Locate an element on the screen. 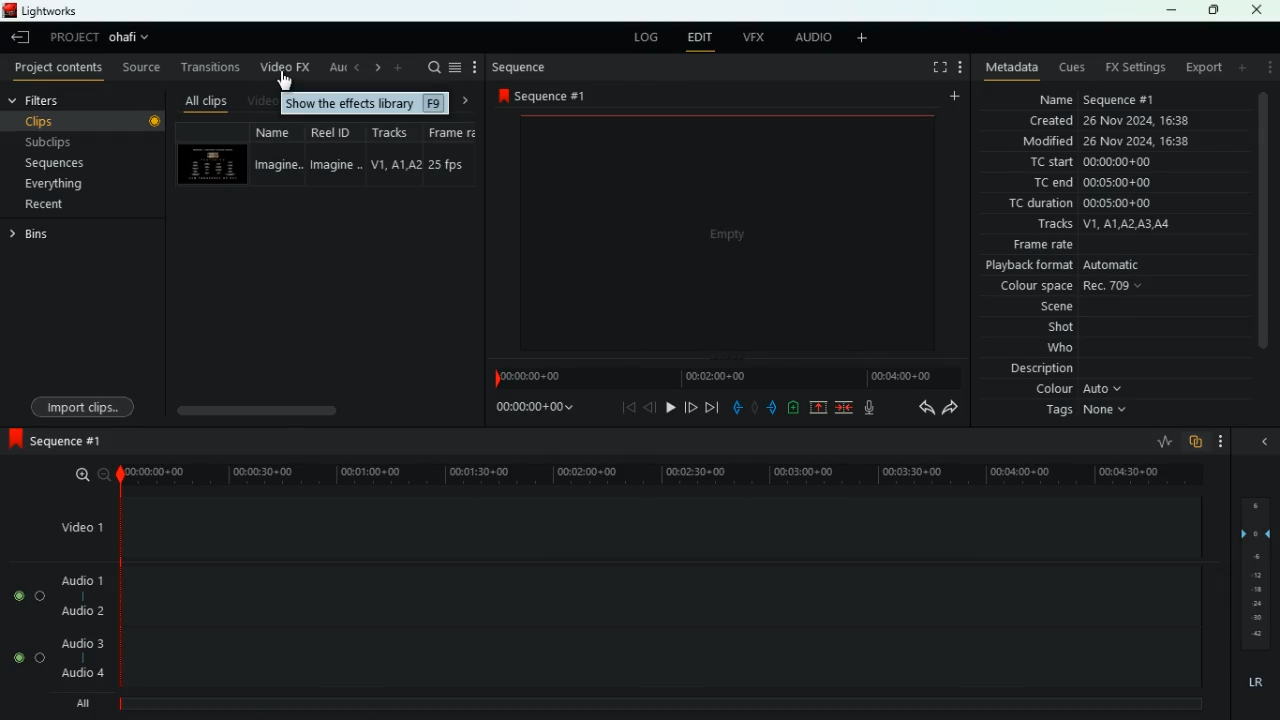 The height and width of the screenshot is (720, 1280). project is located at coordinates (70, 38).